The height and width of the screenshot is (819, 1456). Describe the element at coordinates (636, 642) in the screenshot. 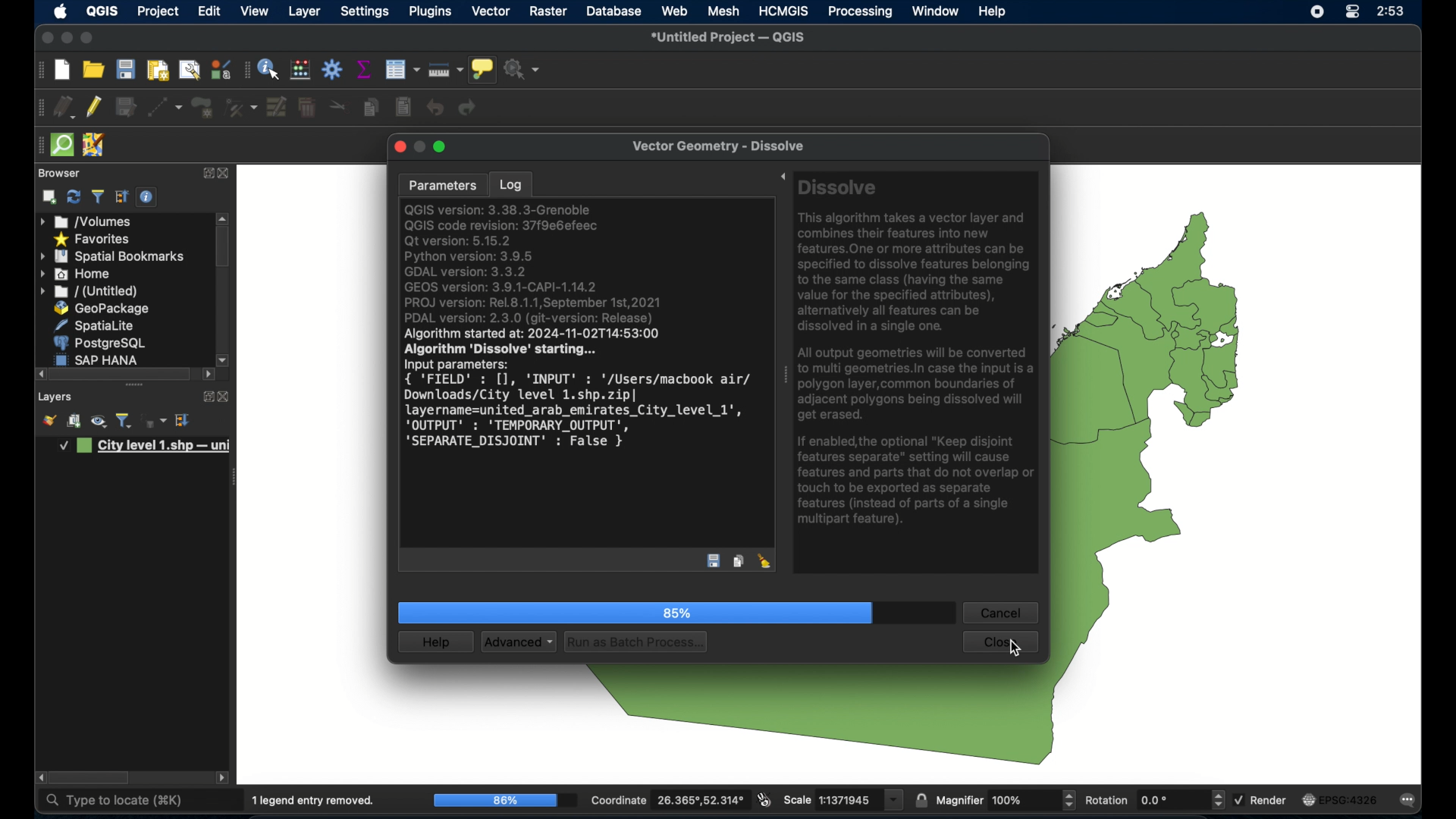

I see `Run as batch process..` at that location.